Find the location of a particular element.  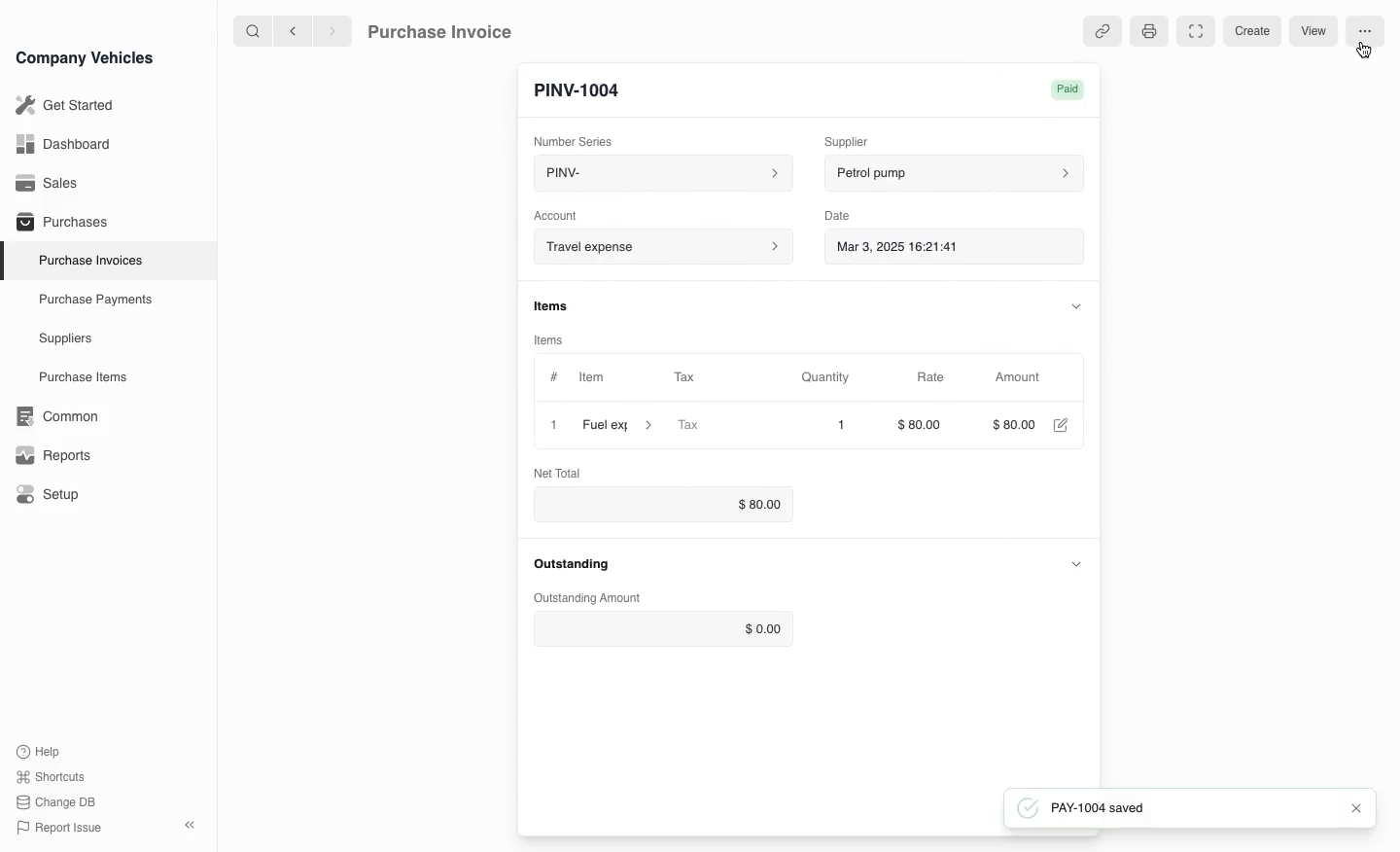

Purchase Invoice is located at coordinates (453, 30).